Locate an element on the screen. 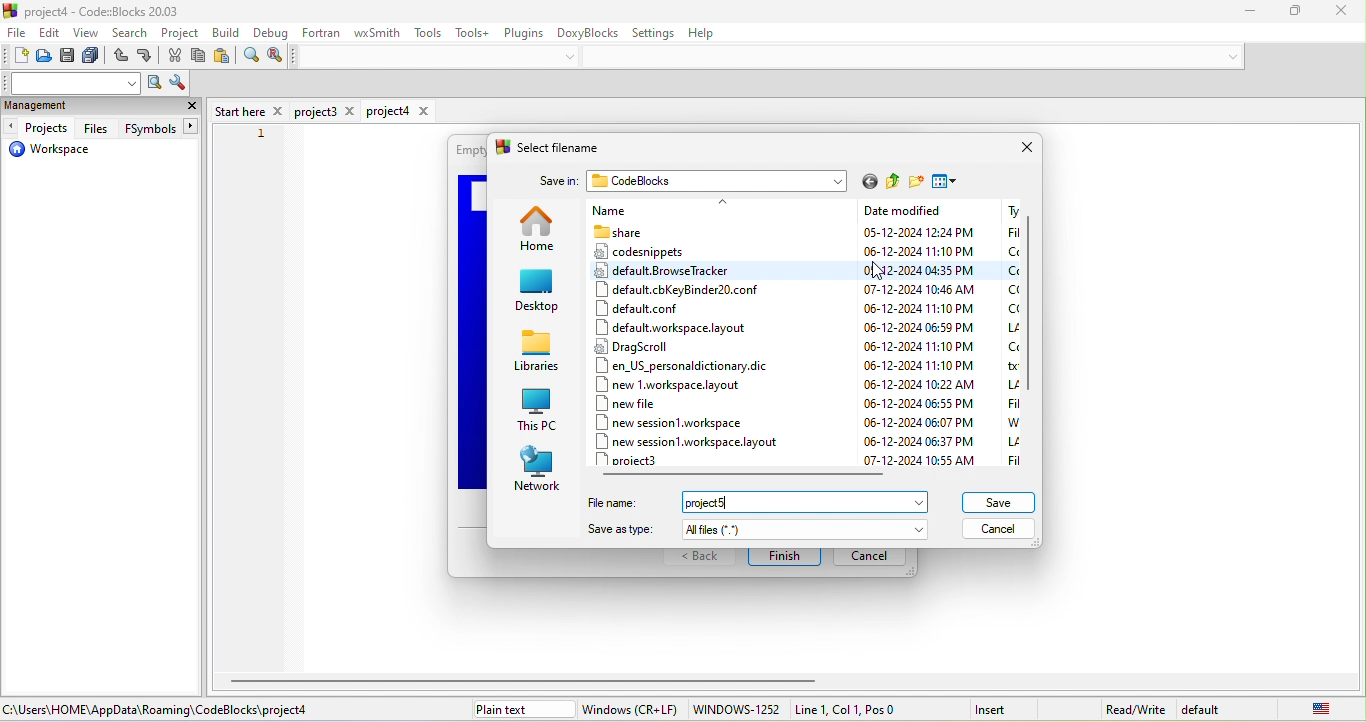 The width and height of the screenshot is (1366, 722). new is located at coordinates (15, 57).